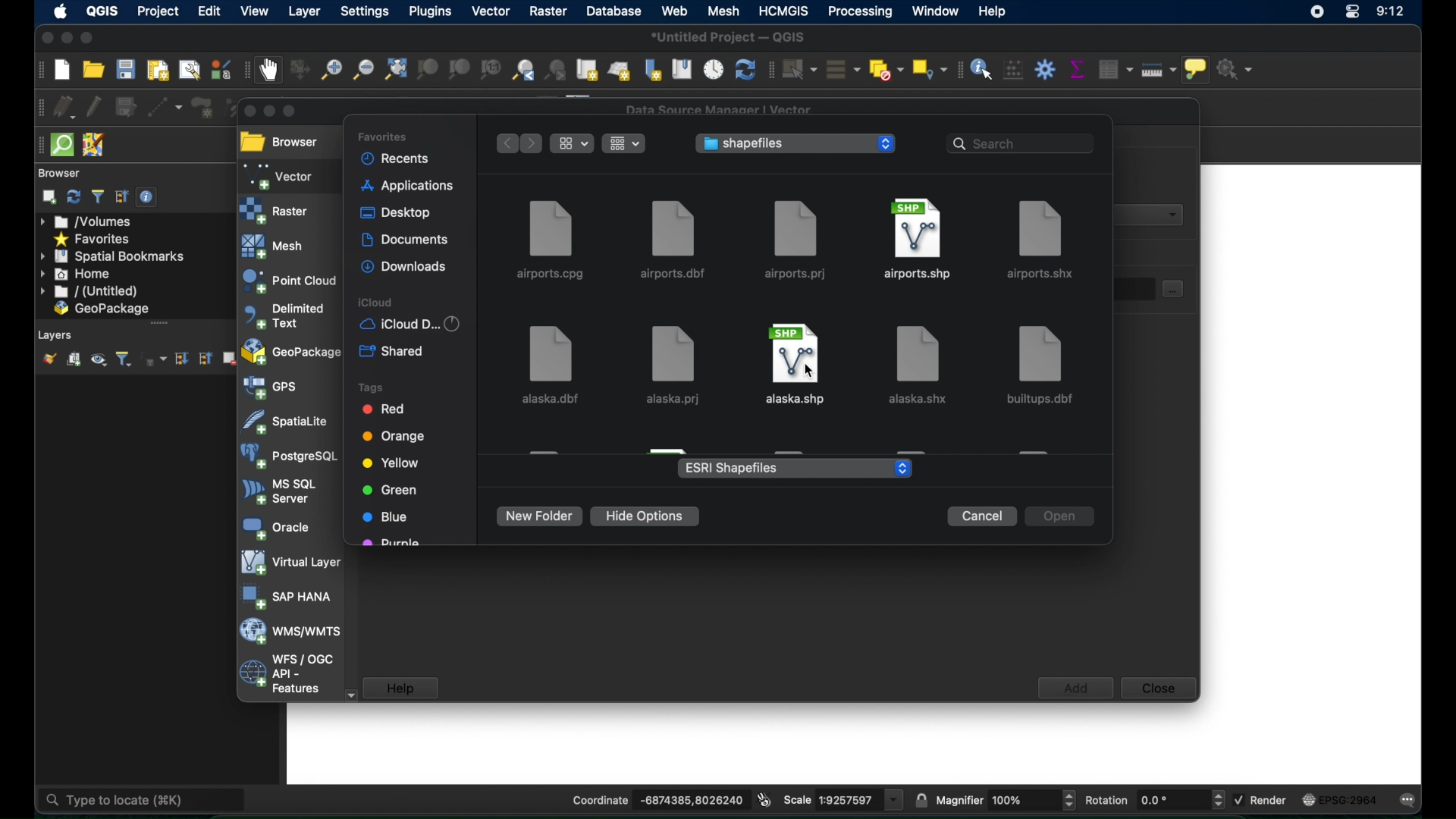 This screenshot has width=1456, height=819. I want to click on obscured file, so click(910, 452).